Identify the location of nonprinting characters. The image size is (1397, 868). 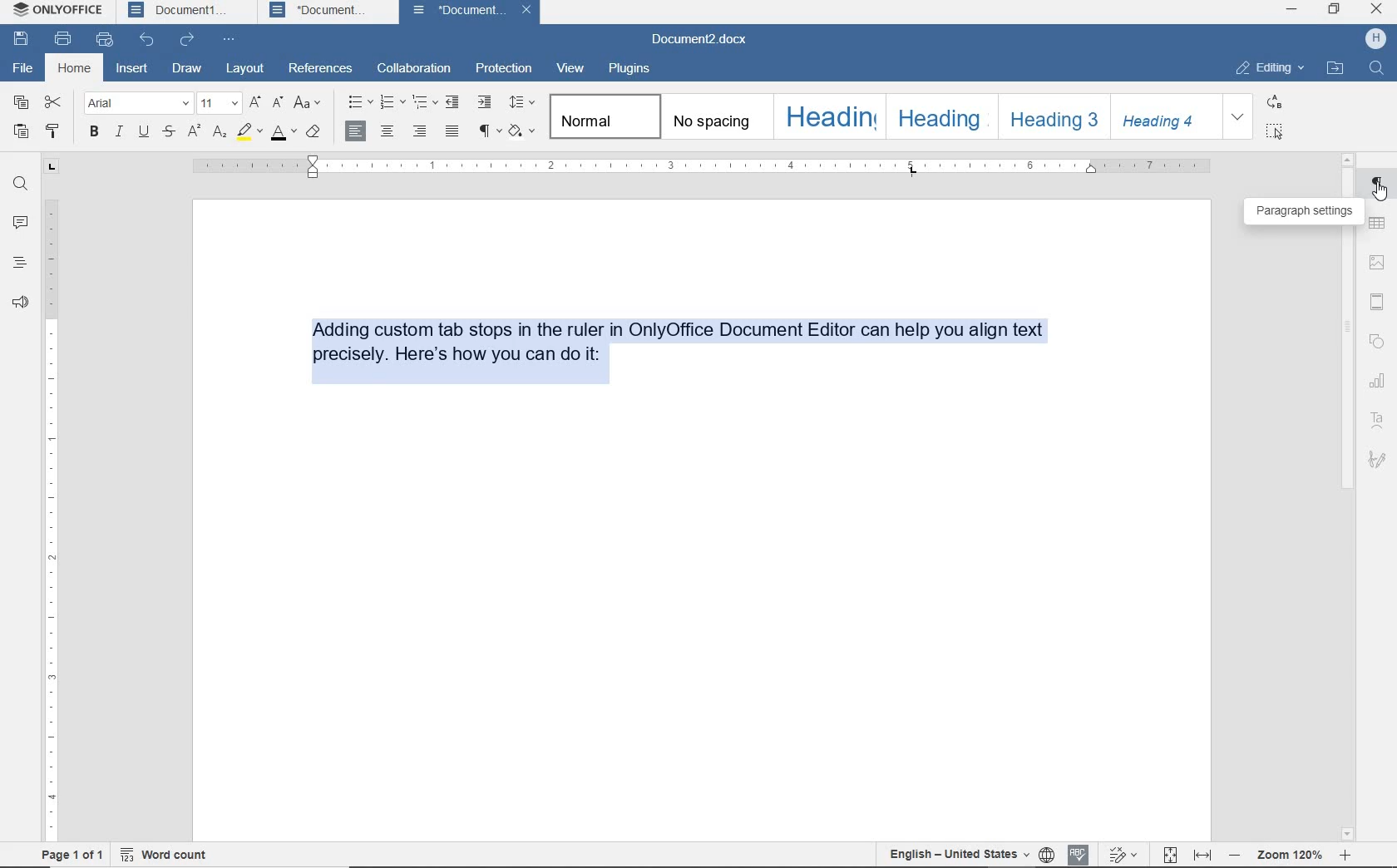
(488, 133).